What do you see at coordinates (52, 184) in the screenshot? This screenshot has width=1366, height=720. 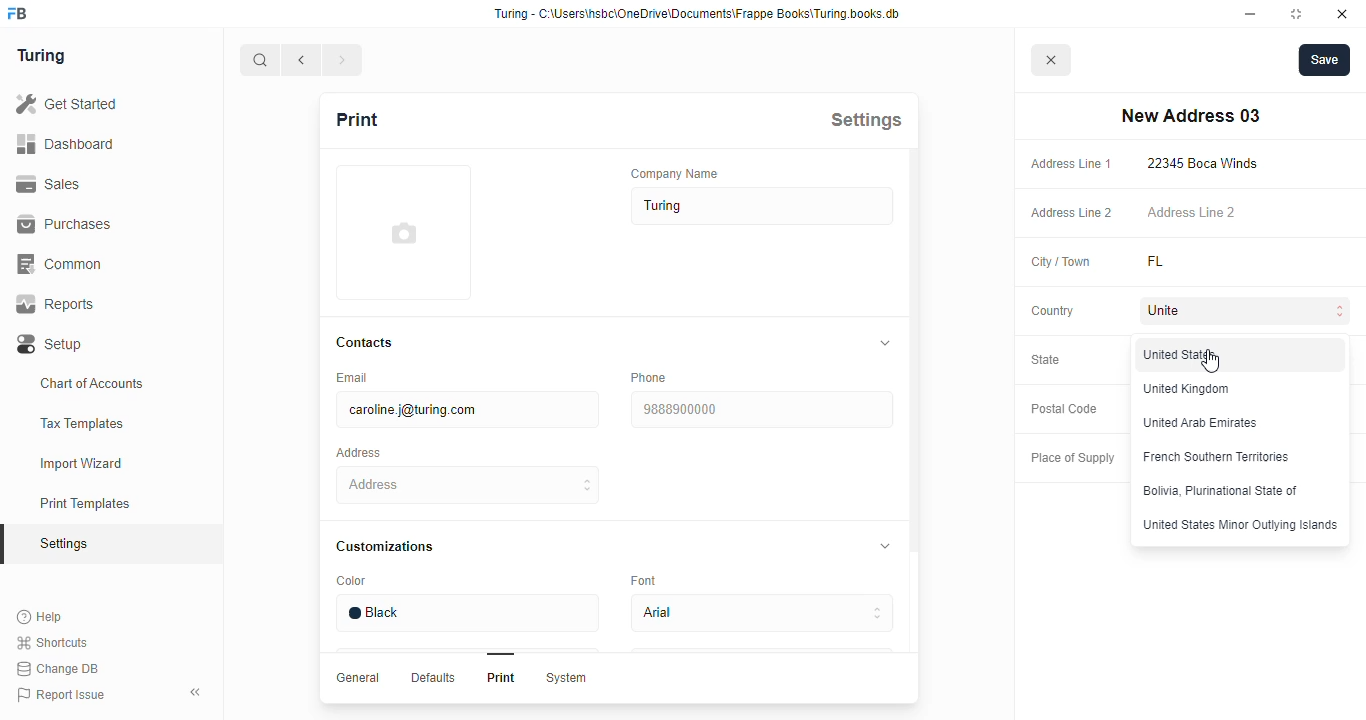 I see `sales` at bounding box center [52, 184].